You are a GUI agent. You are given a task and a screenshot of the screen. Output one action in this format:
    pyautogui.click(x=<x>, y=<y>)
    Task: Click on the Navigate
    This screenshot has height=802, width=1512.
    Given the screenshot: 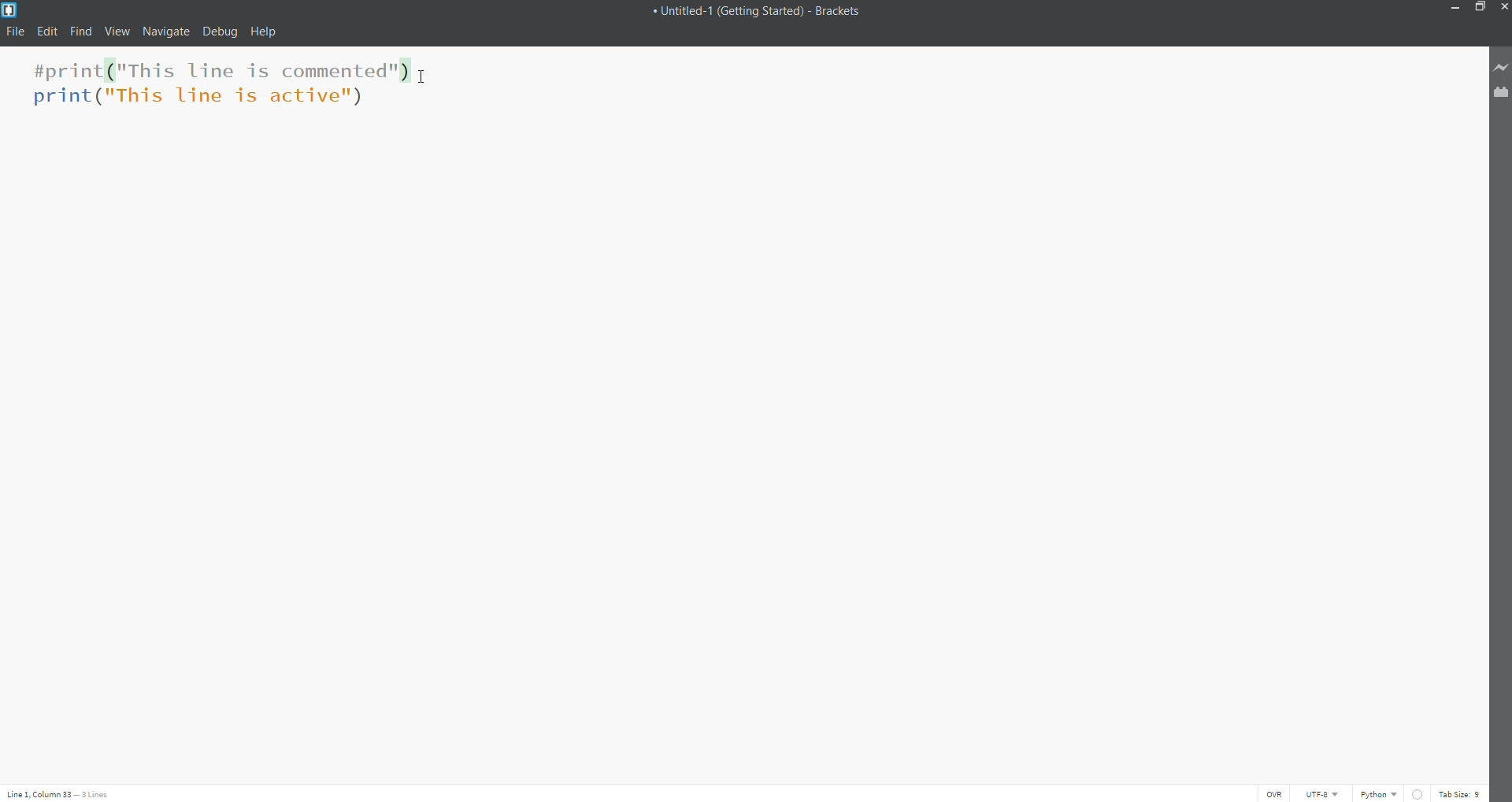 What is the action you would take?
    pyautogui.click(x=165, y=32)
    